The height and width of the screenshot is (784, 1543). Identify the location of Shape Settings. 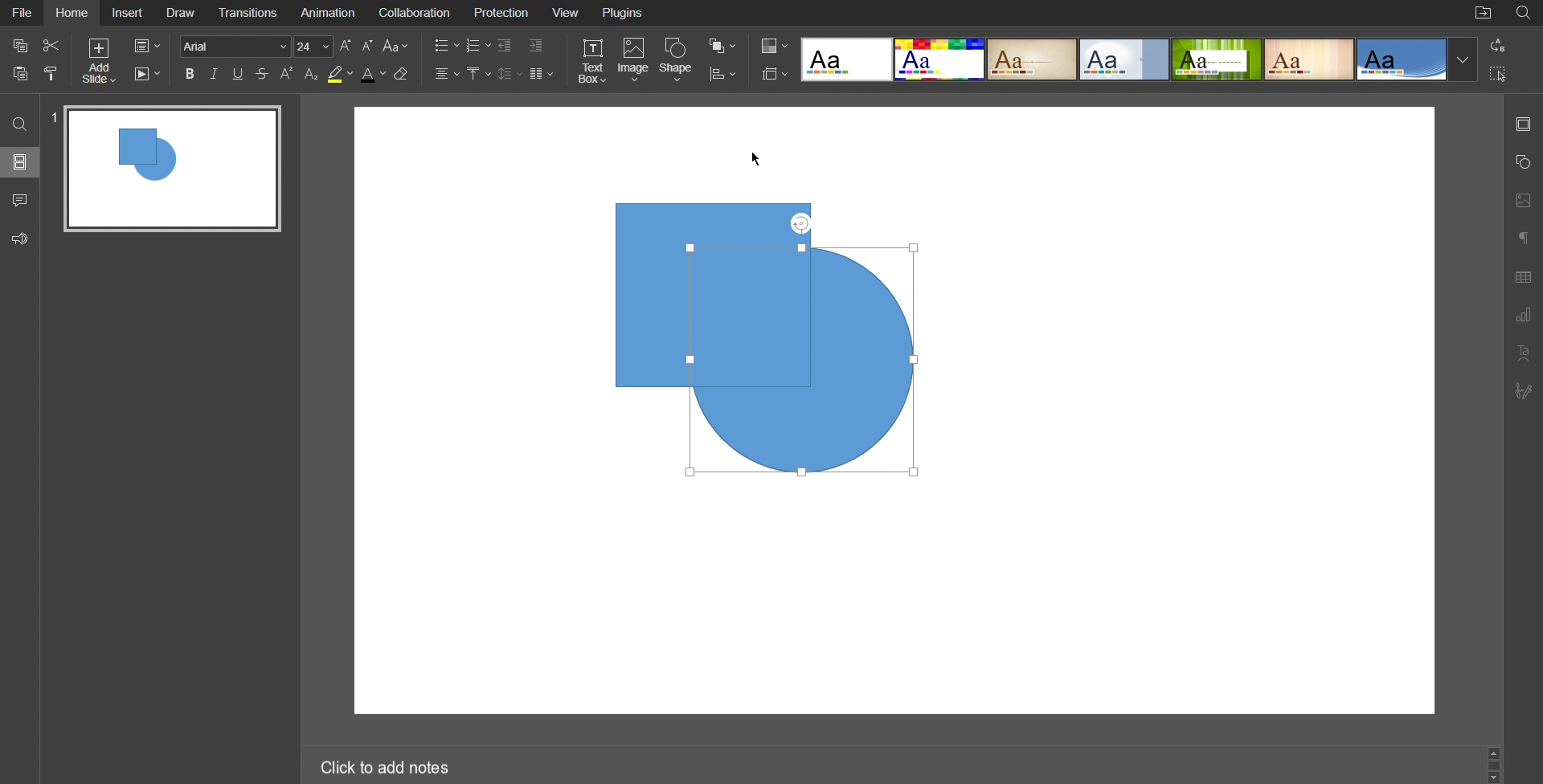
(1524, 163).